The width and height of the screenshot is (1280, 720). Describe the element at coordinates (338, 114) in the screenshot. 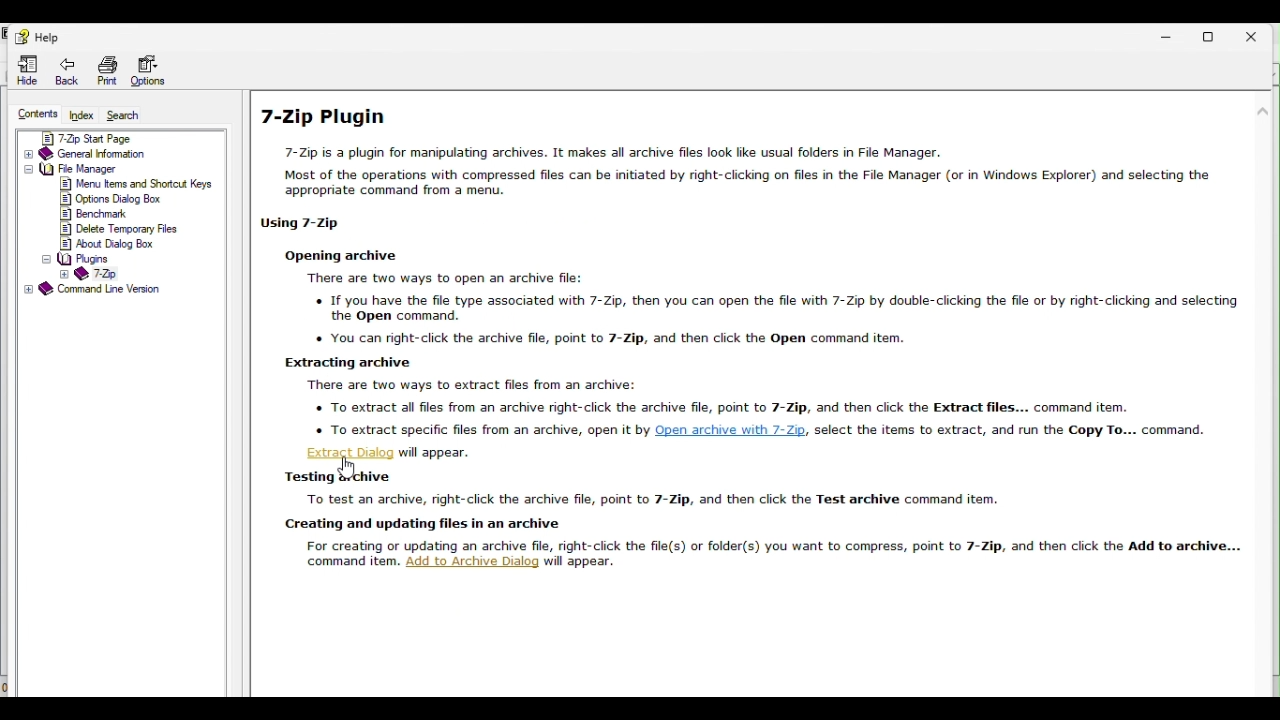

I see `7 zip plugin` at that location.